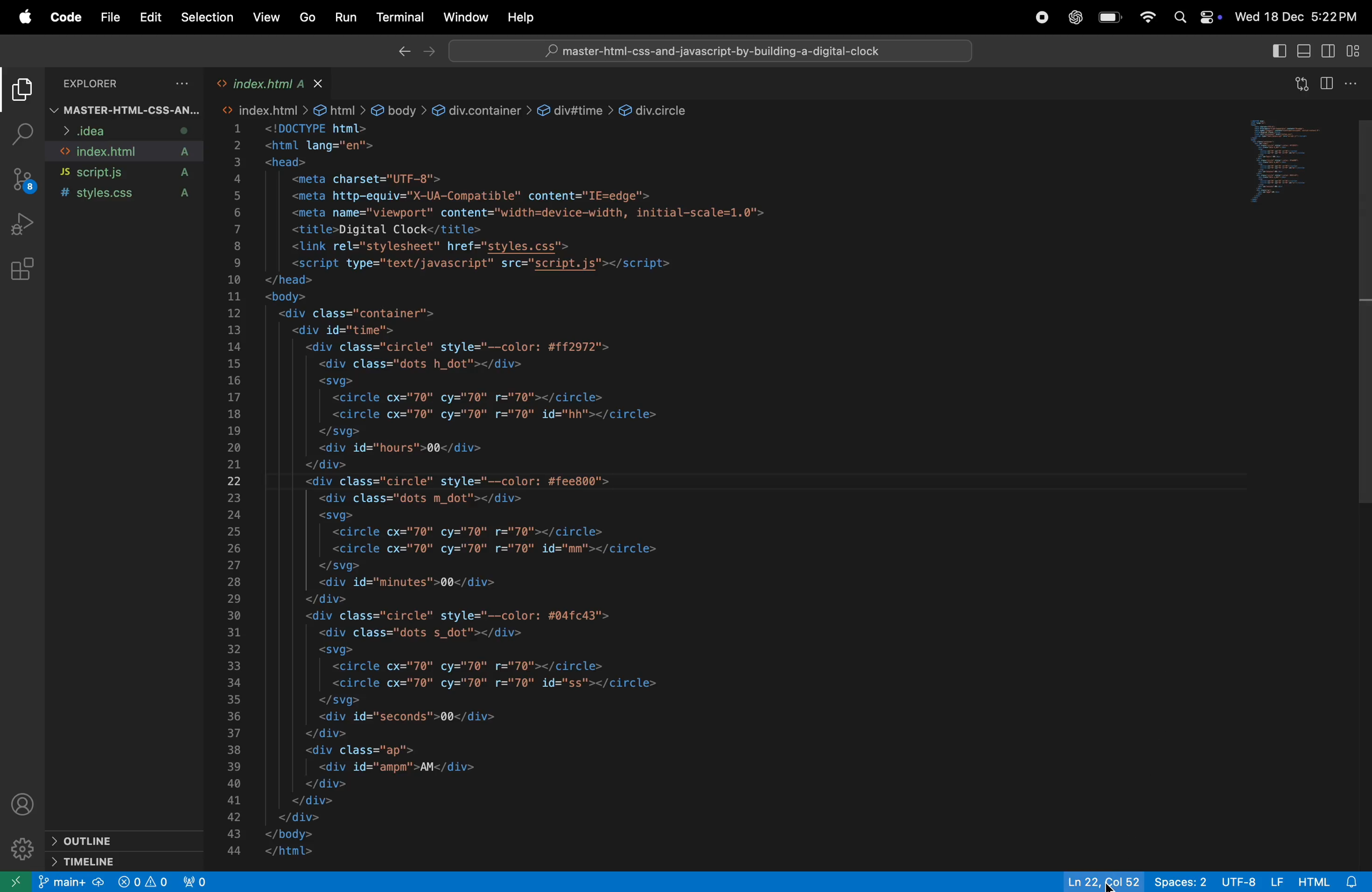 Image resolution: width=1372 pixels, height=892 pixels. Describe the element at coordinates (1364, 305) in the screenshot. I see `scroll bar` at that location.